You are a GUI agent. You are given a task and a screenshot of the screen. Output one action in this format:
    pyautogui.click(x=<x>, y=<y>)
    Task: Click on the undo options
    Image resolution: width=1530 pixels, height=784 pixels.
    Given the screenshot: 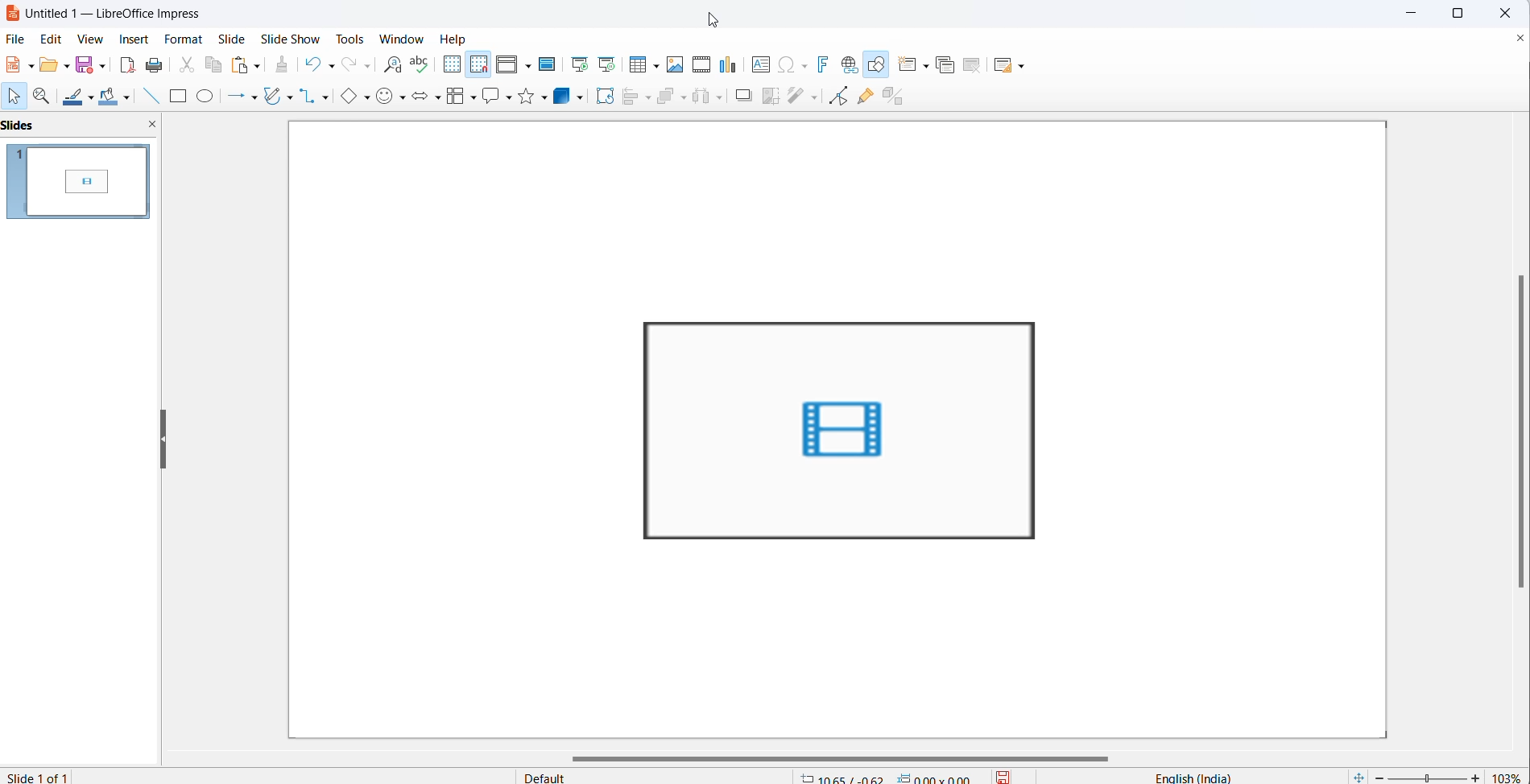 What is the action you would take?
    pyautogui.click(x=329, y=65)
    